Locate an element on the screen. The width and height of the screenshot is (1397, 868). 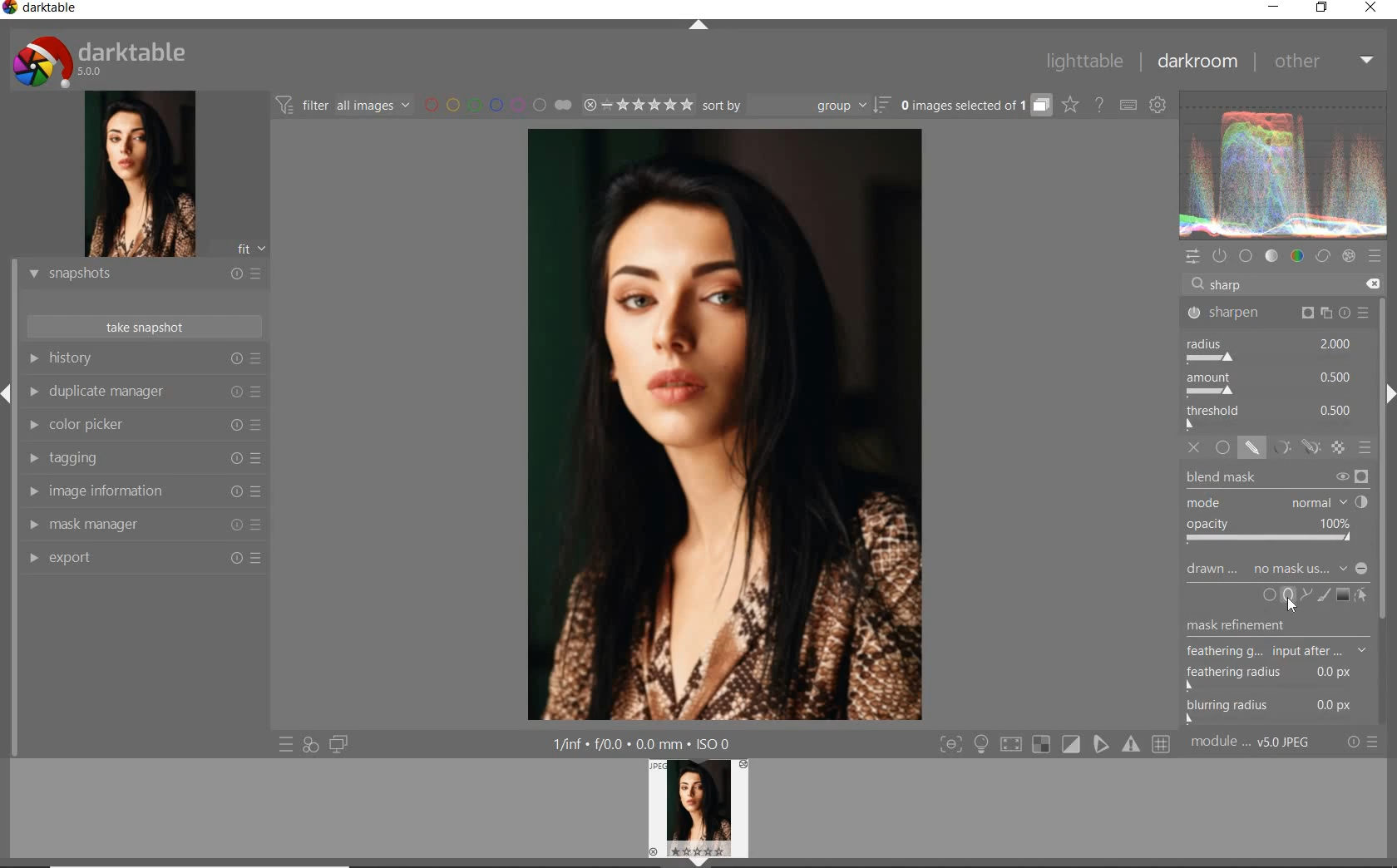
filter all images by module order is located at coordinates (344, 107).